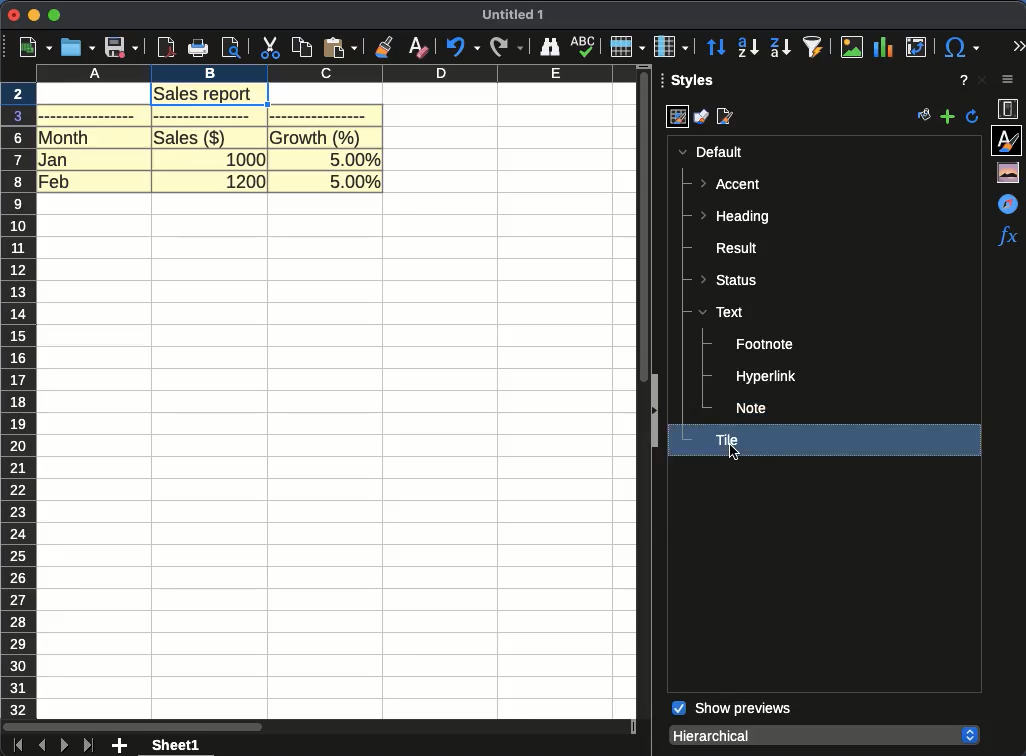  I want to click on close, so click(13, 16).